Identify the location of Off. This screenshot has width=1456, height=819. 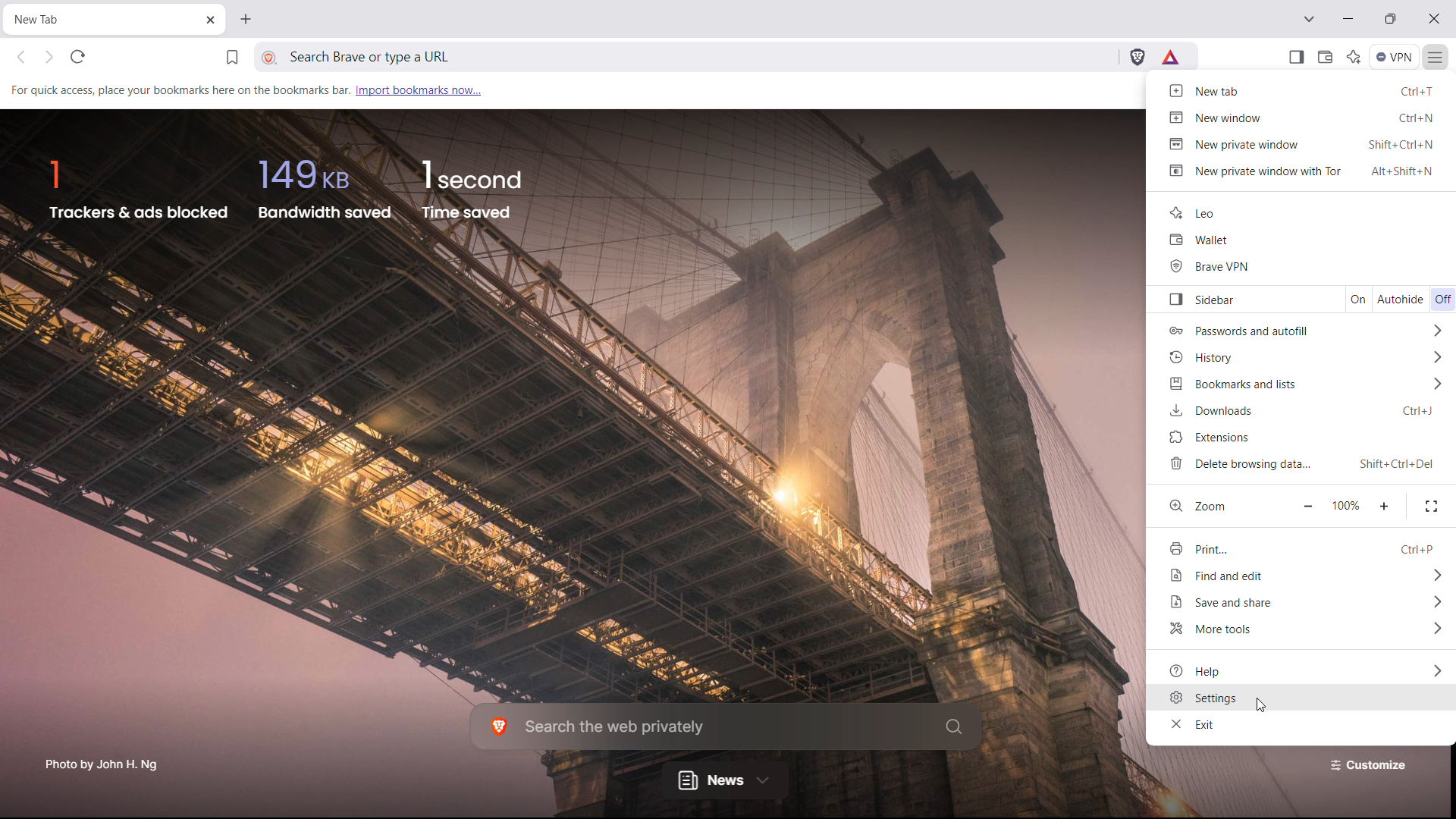
(1442, 297).